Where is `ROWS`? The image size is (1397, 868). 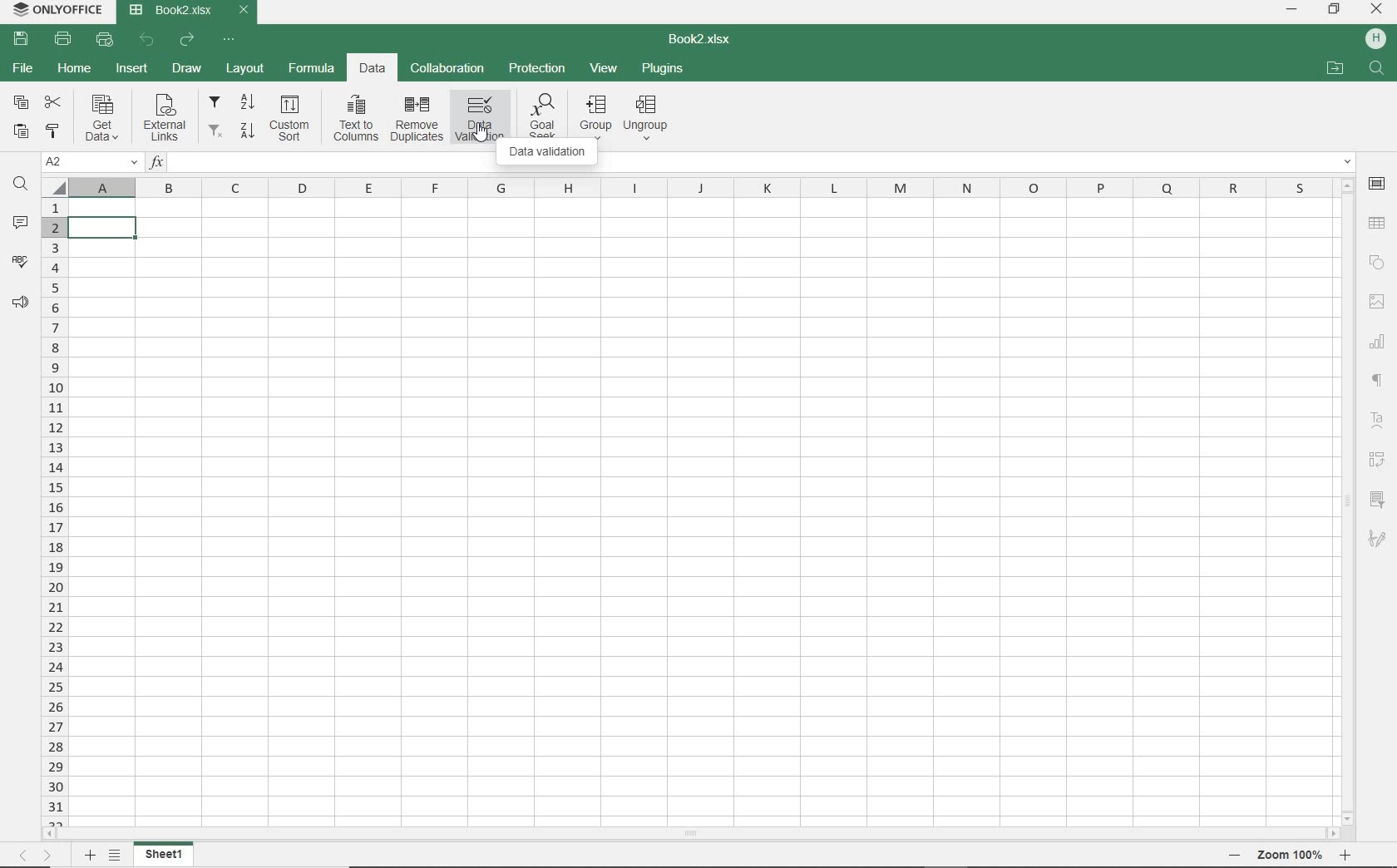
ROWS is located at coordinates (53, 508).